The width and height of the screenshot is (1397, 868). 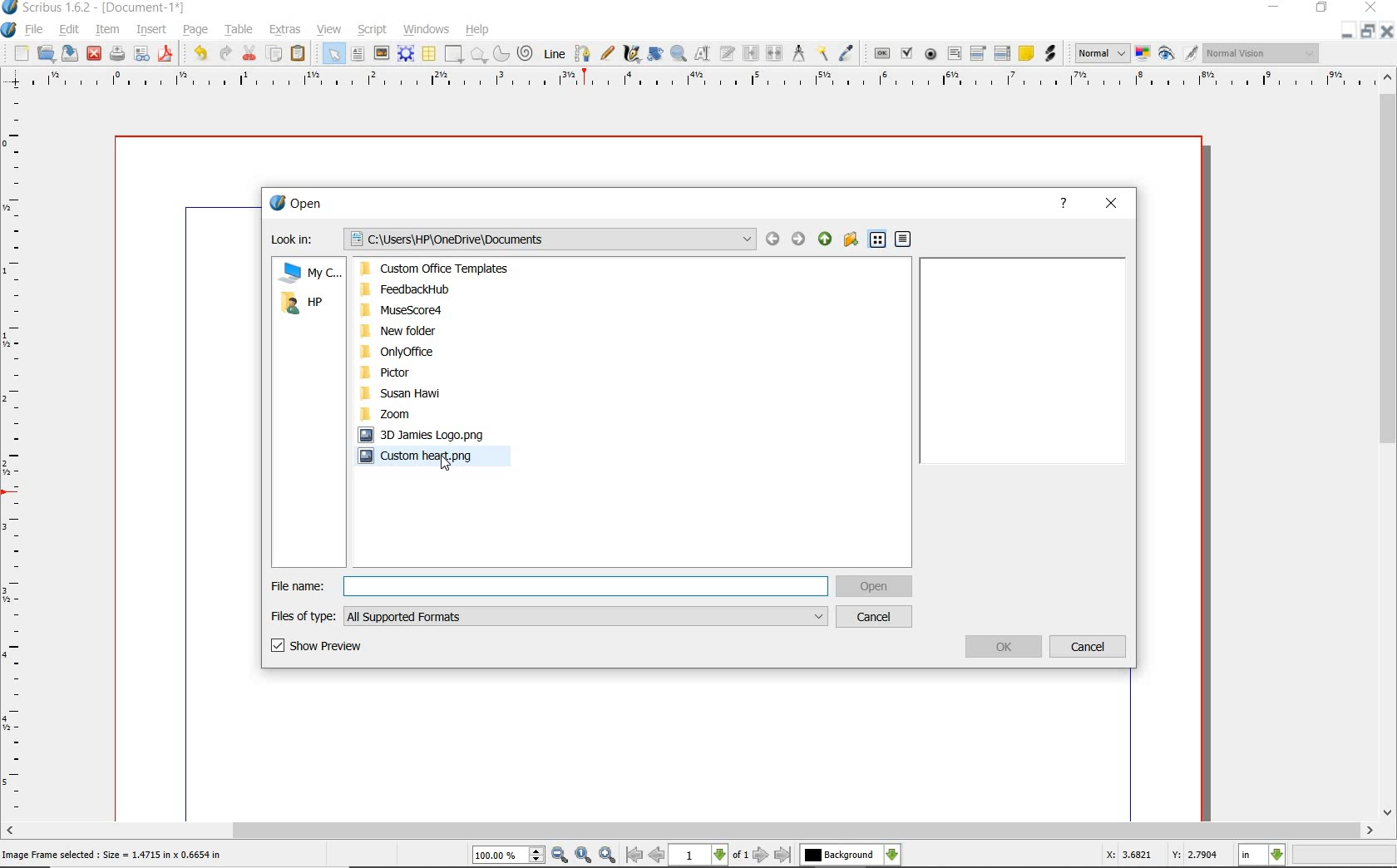 What do you see at coordinates (22, 55) in the screenshot?
I see `new` at bounding box center [22, 55].